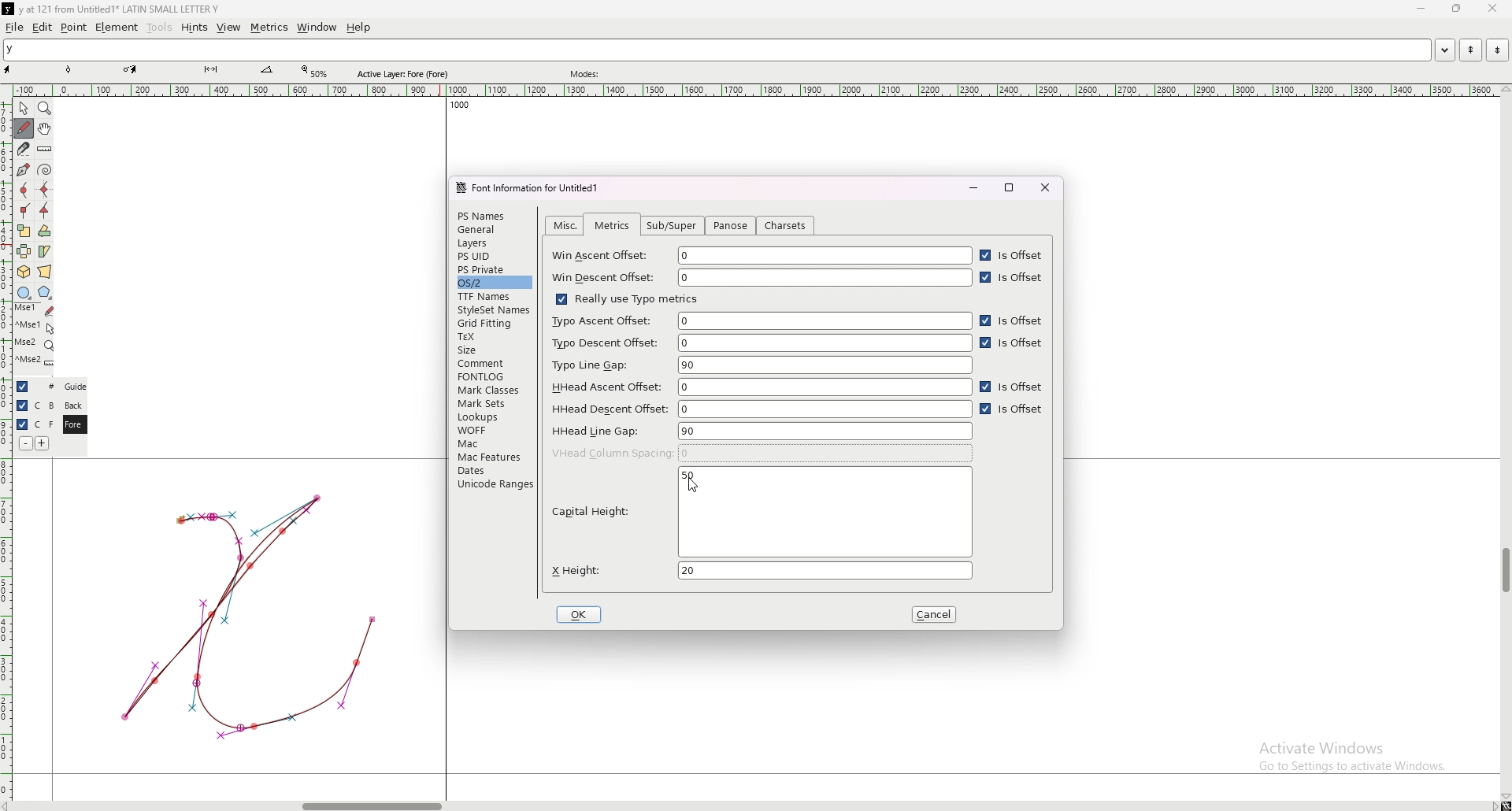 The height and width of the screenshot is (811, 1512). Describe the element at coordinates (317, 28) in the screenshot. I see `window` at that location.